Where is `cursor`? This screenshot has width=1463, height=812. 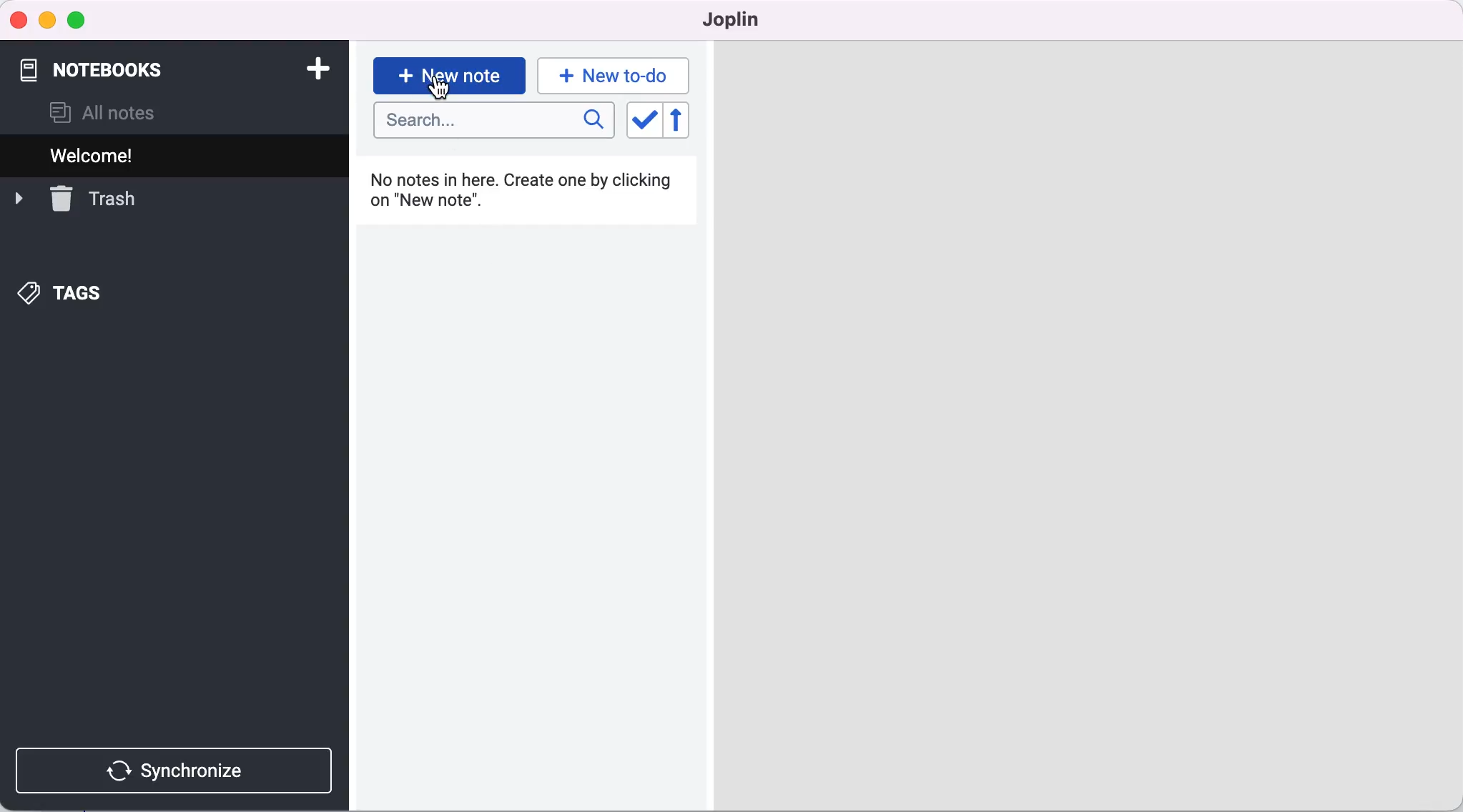
cursor is located at coordinates (438, 88).